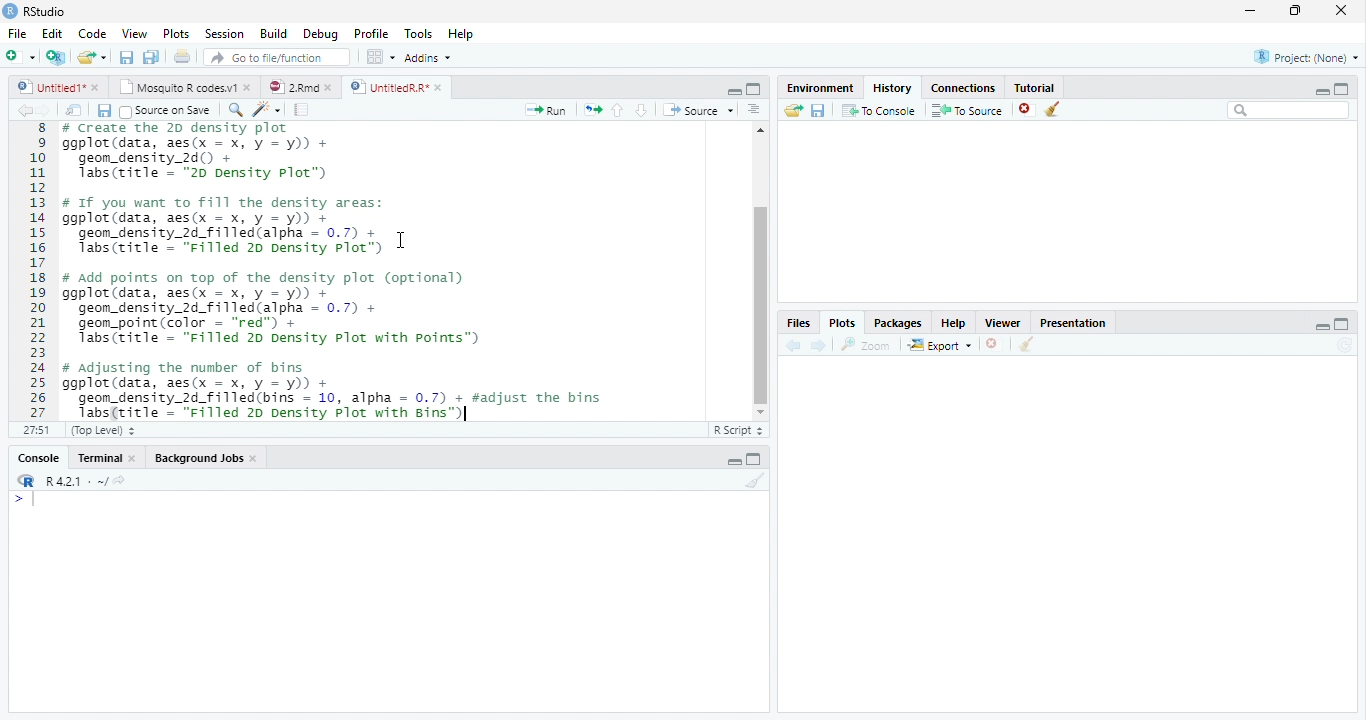  I want to click on 27:5, so click(33, 430).